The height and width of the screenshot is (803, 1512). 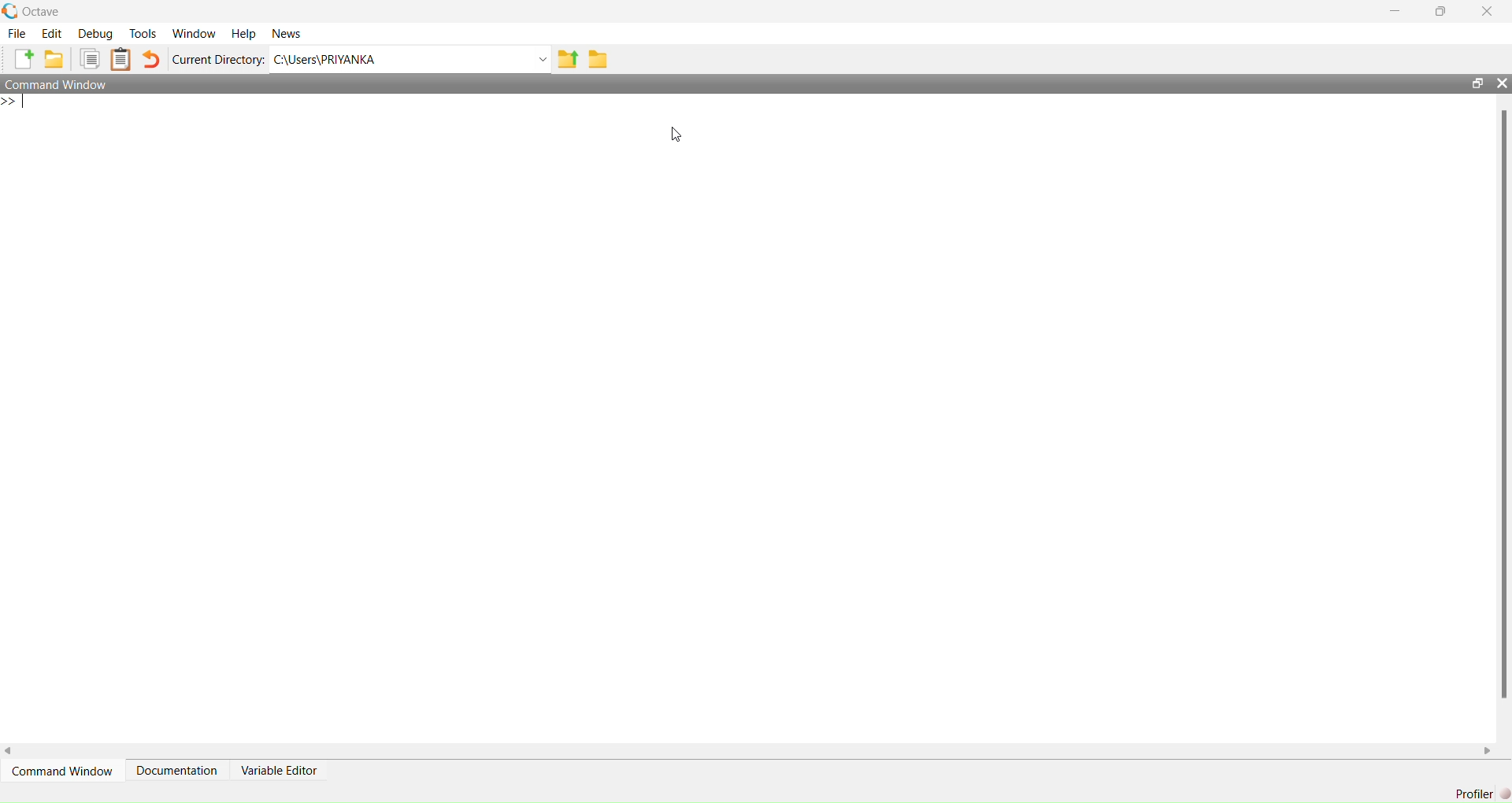 I want to click on logo, so click(x=11, y=12).